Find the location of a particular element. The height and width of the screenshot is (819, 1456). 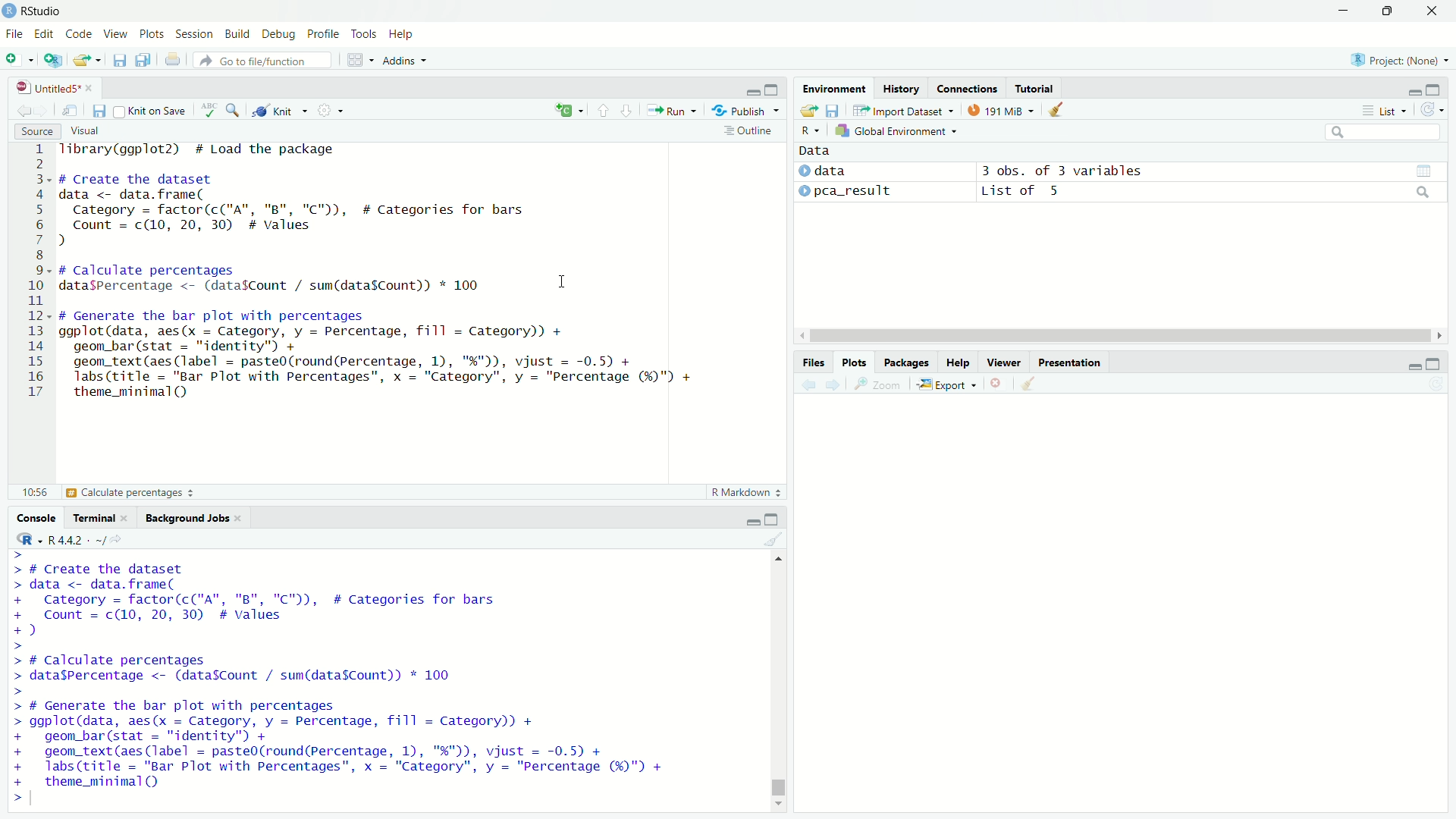

data is located at coordinates (816, 150).